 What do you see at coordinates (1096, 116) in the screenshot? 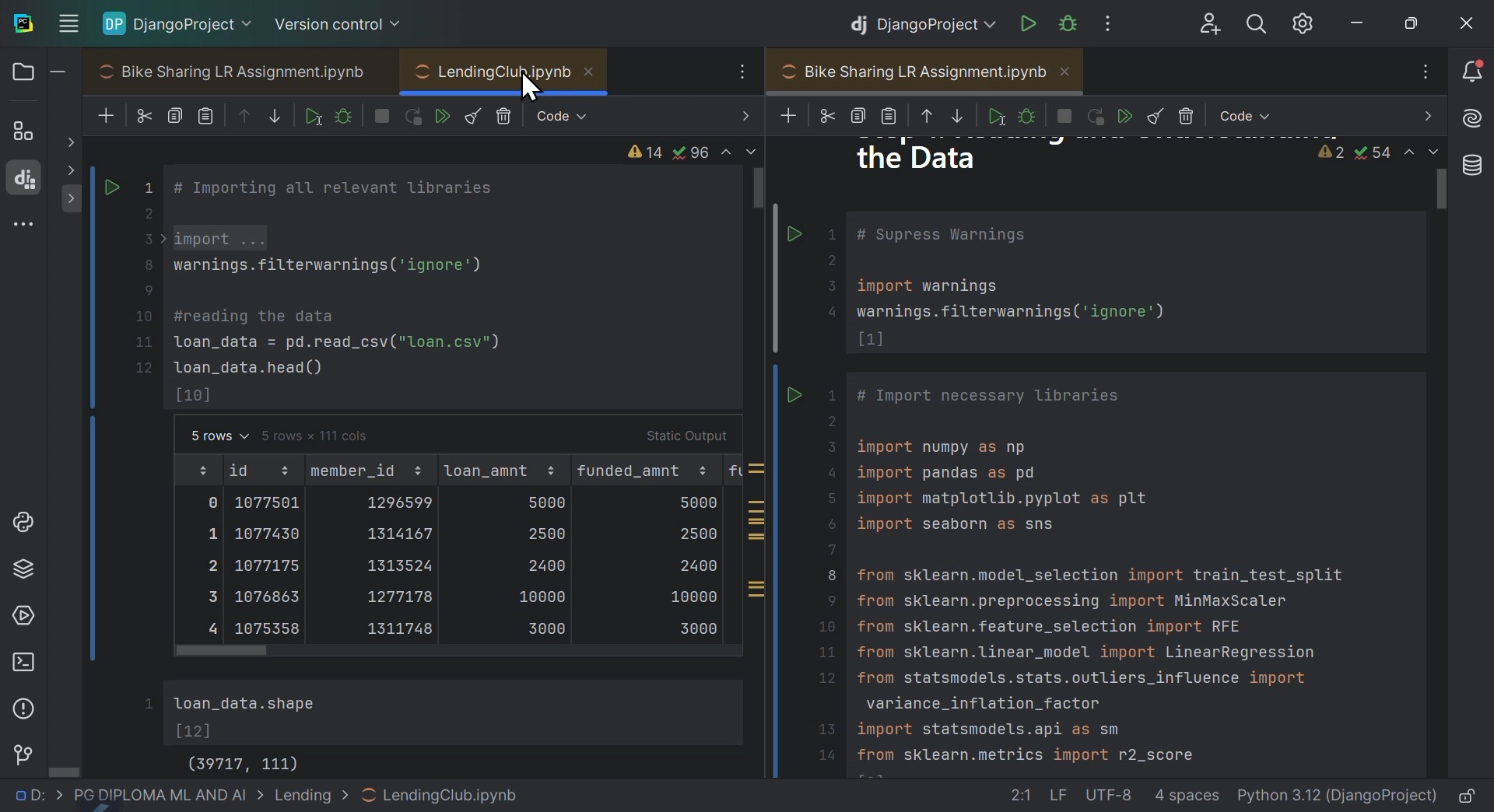
I see `` at bounding box center [1096, 116].